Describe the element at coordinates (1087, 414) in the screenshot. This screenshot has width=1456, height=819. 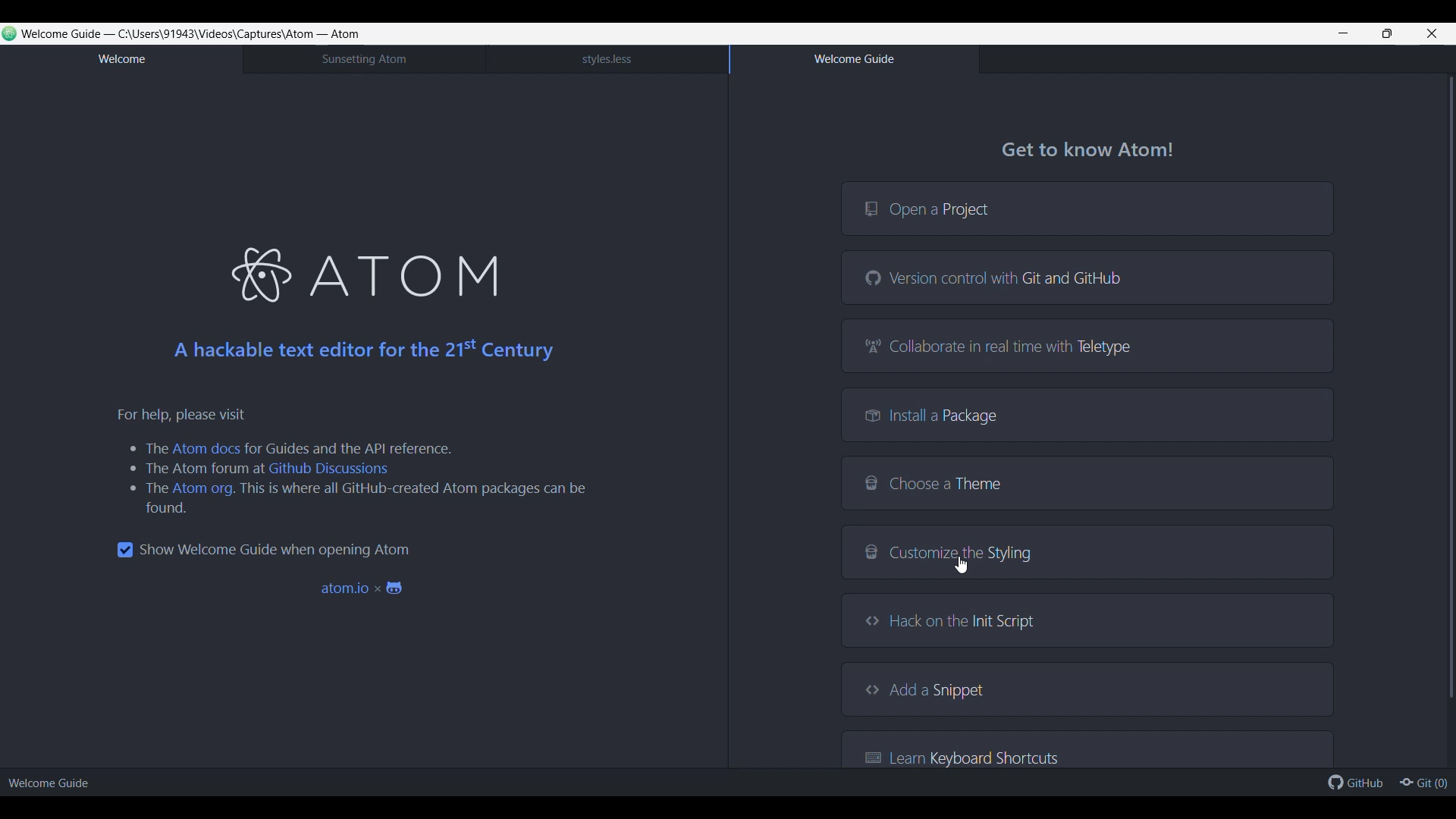
I see `Install a Package` at that location.